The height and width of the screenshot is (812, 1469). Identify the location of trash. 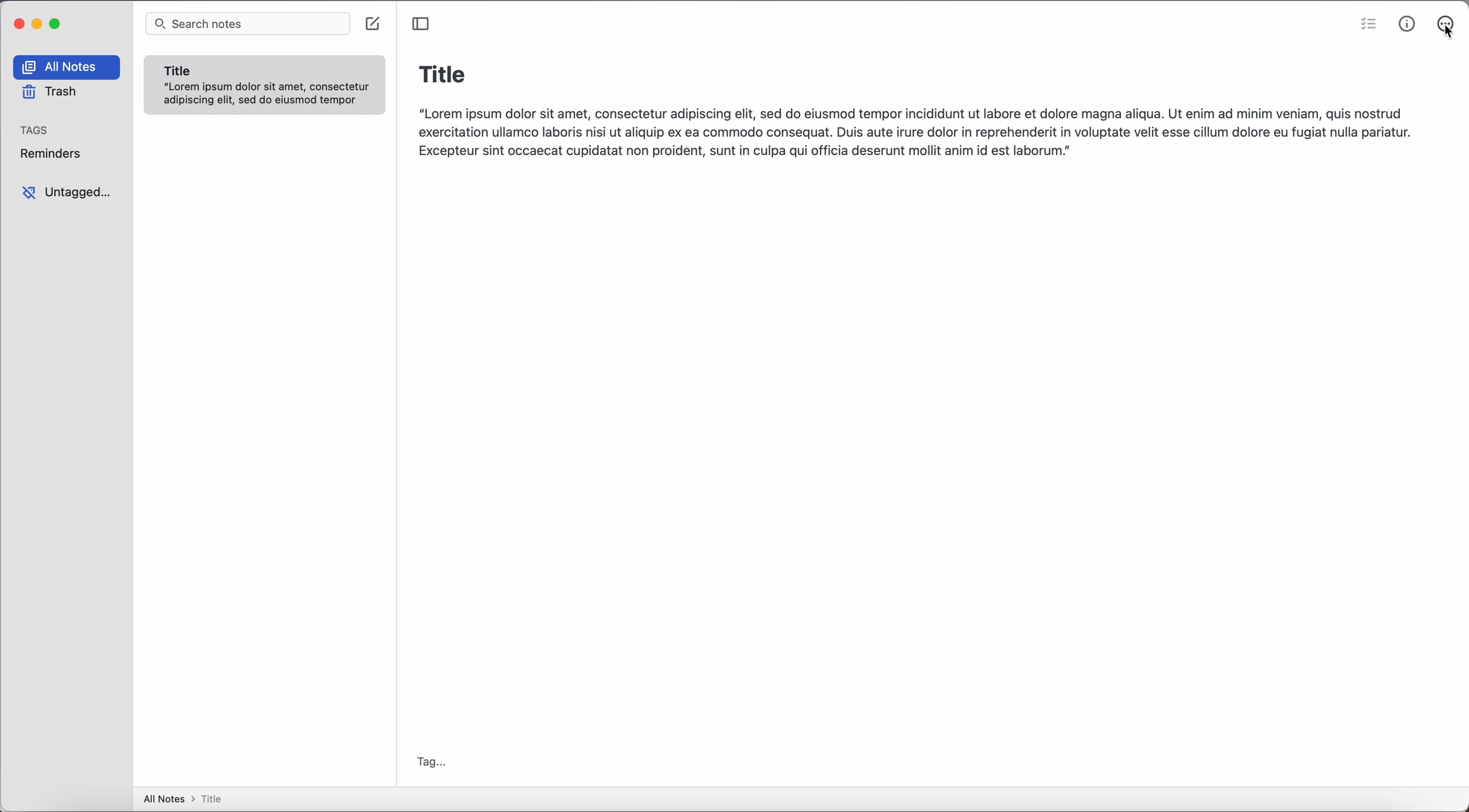
(48, 92).